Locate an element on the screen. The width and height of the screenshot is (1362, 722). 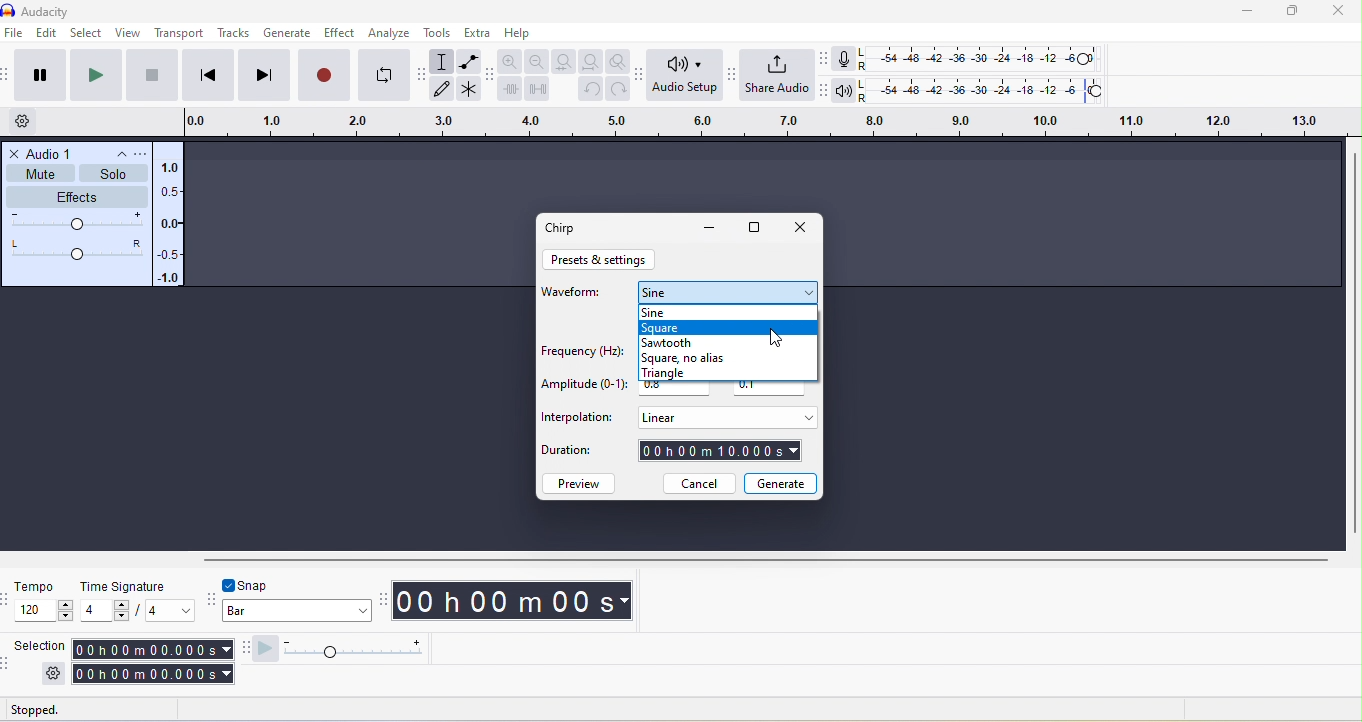
stop is located at coordinates (153, 76).